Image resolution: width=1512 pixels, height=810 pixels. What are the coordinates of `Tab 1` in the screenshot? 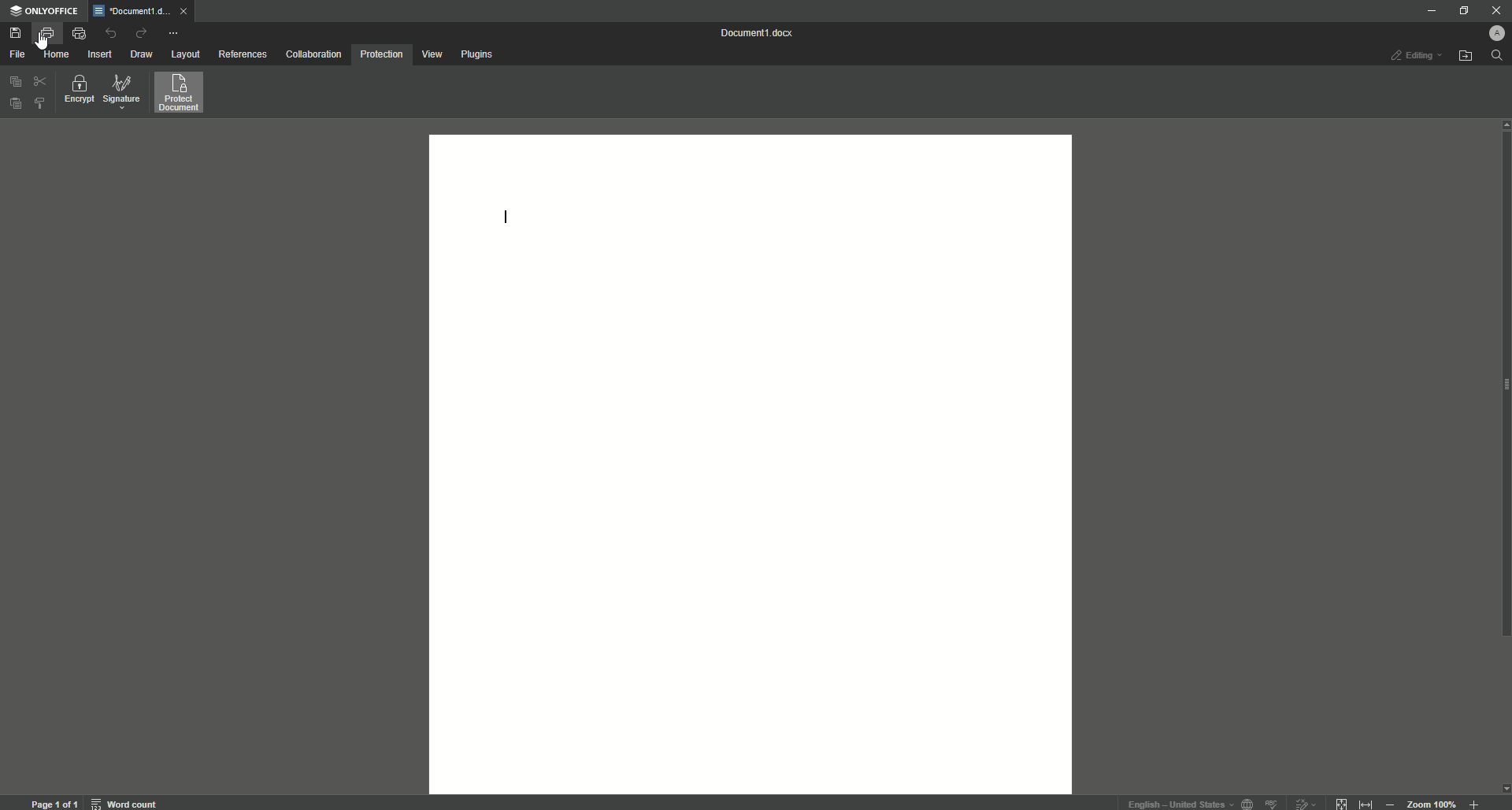 It's located at (132, 13).